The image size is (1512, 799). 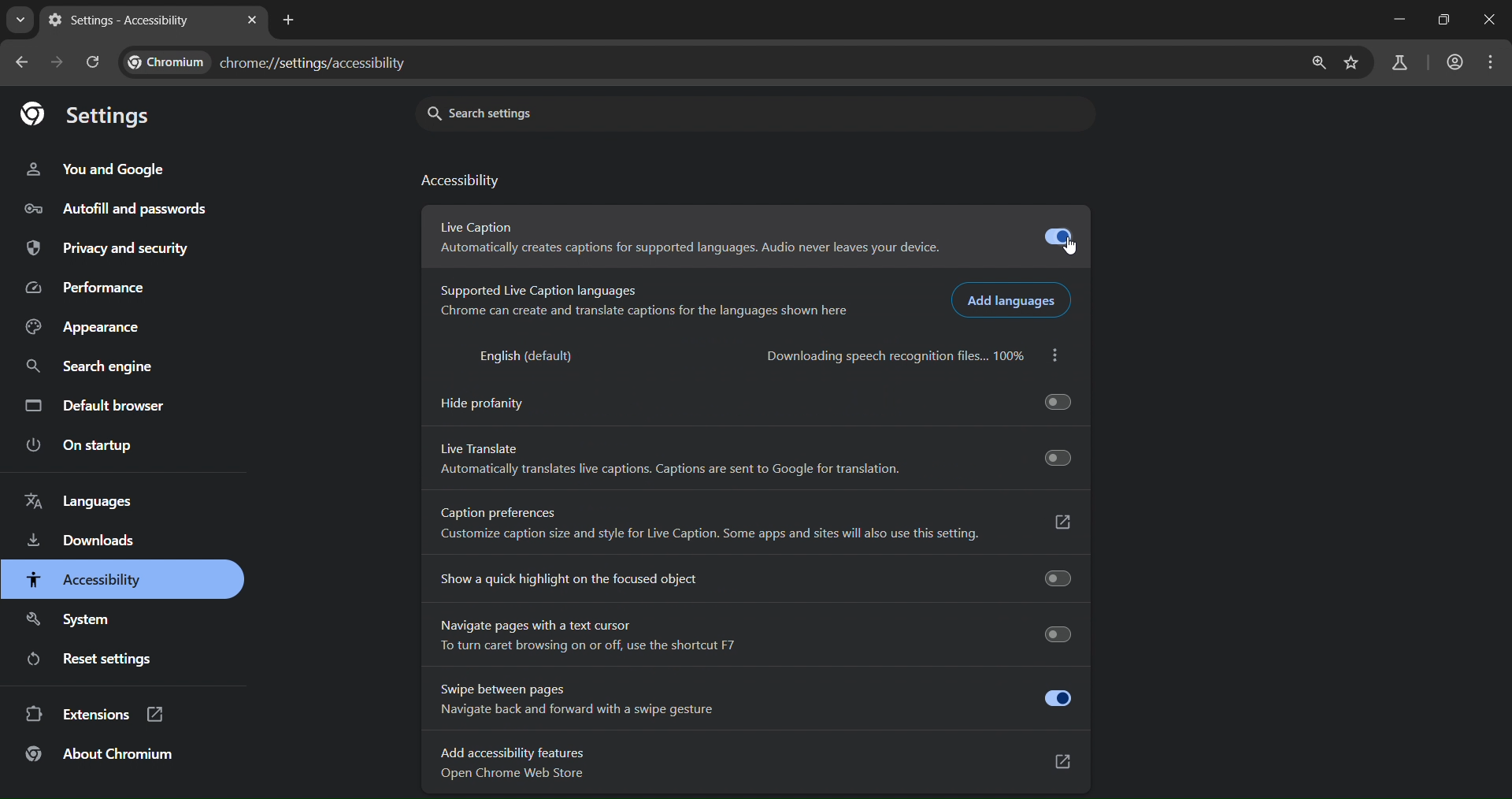 What do you see at coordinates (534, 357) in the screenshot?
I see `english(default)` at bounding box center [534, 357].